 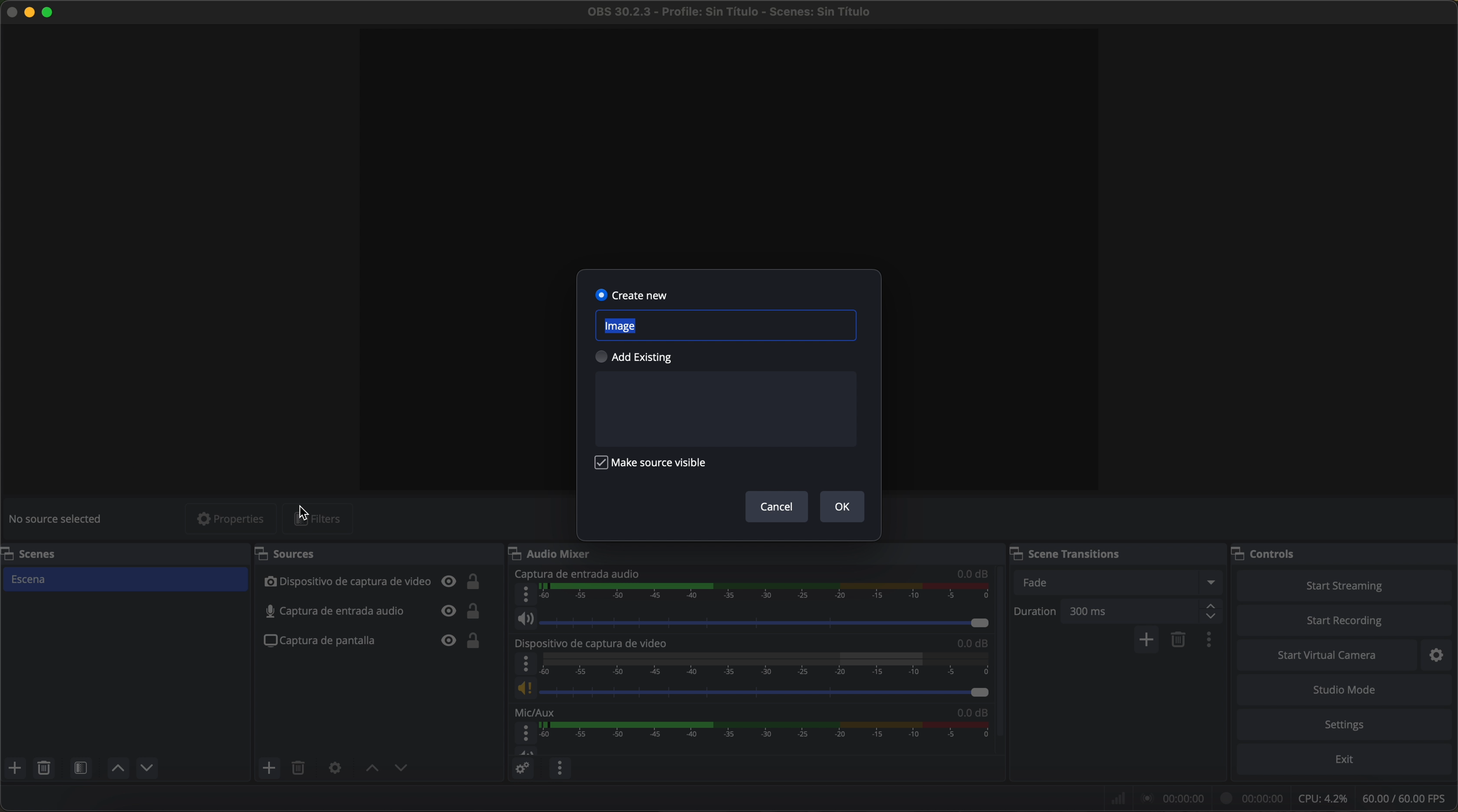 What do you see at coordinates (1345, 690) in the screenshot?
I see `studio mode` at bounding box center [1345, 690].